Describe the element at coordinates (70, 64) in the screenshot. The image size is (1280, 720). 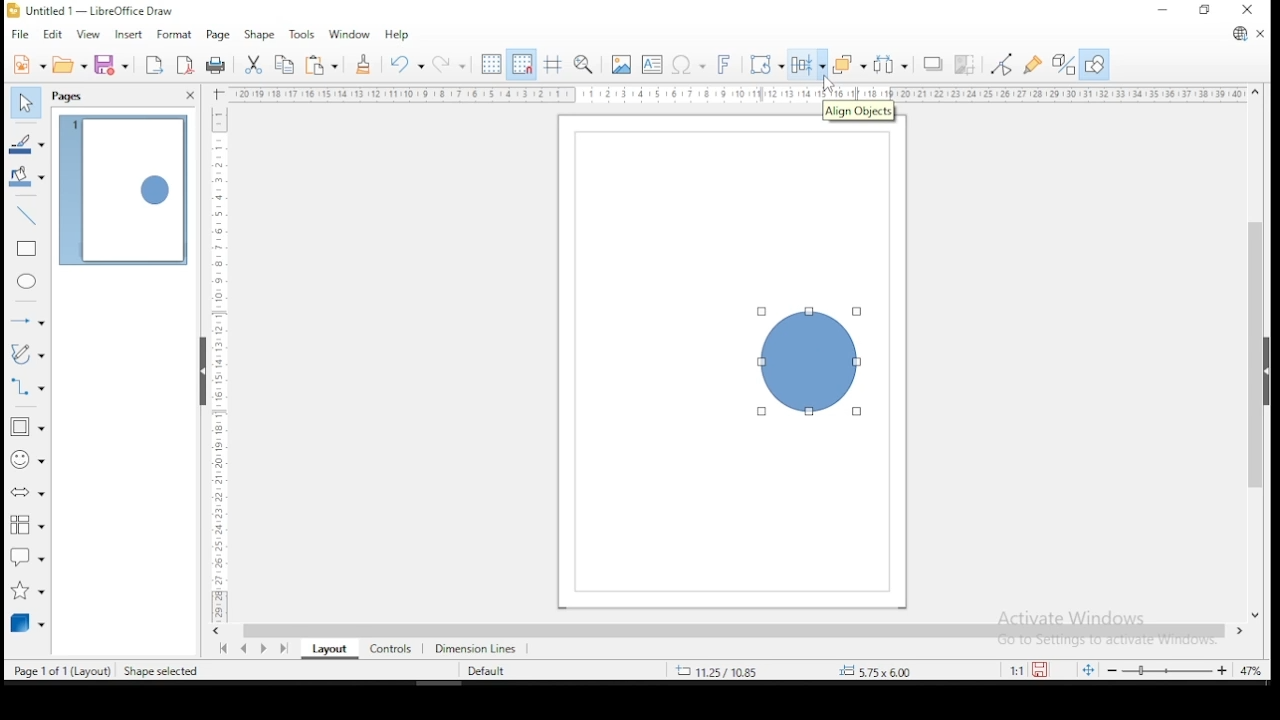
I see `open` at that location.